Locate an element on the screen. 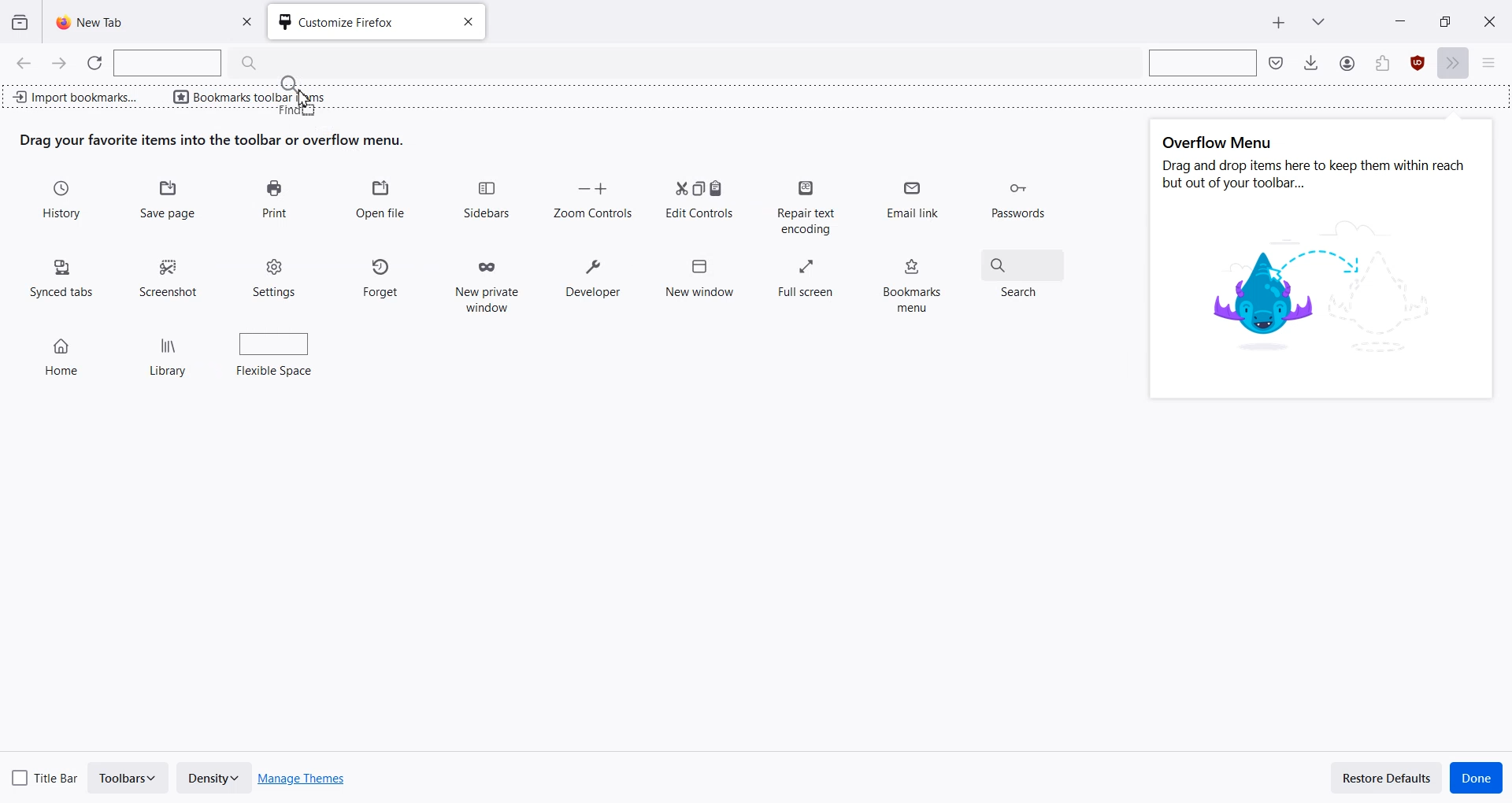 This screenshot has width=1512, height=803. List all tab is located at coordinates (1318, 20).